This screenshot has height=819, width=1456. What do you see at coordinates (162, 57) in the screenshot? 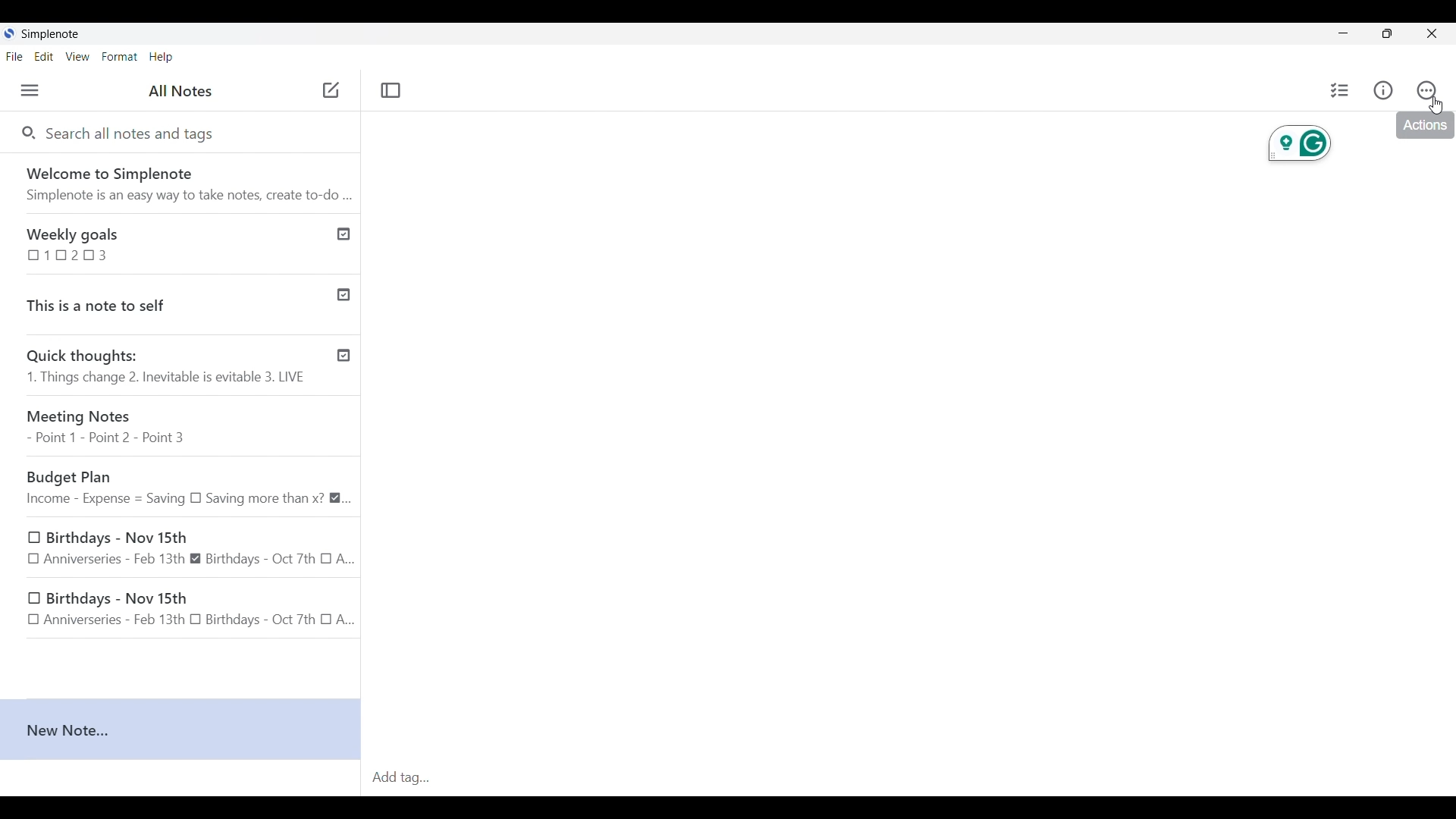
I see `Help menu` at bounding box center [162, 57].